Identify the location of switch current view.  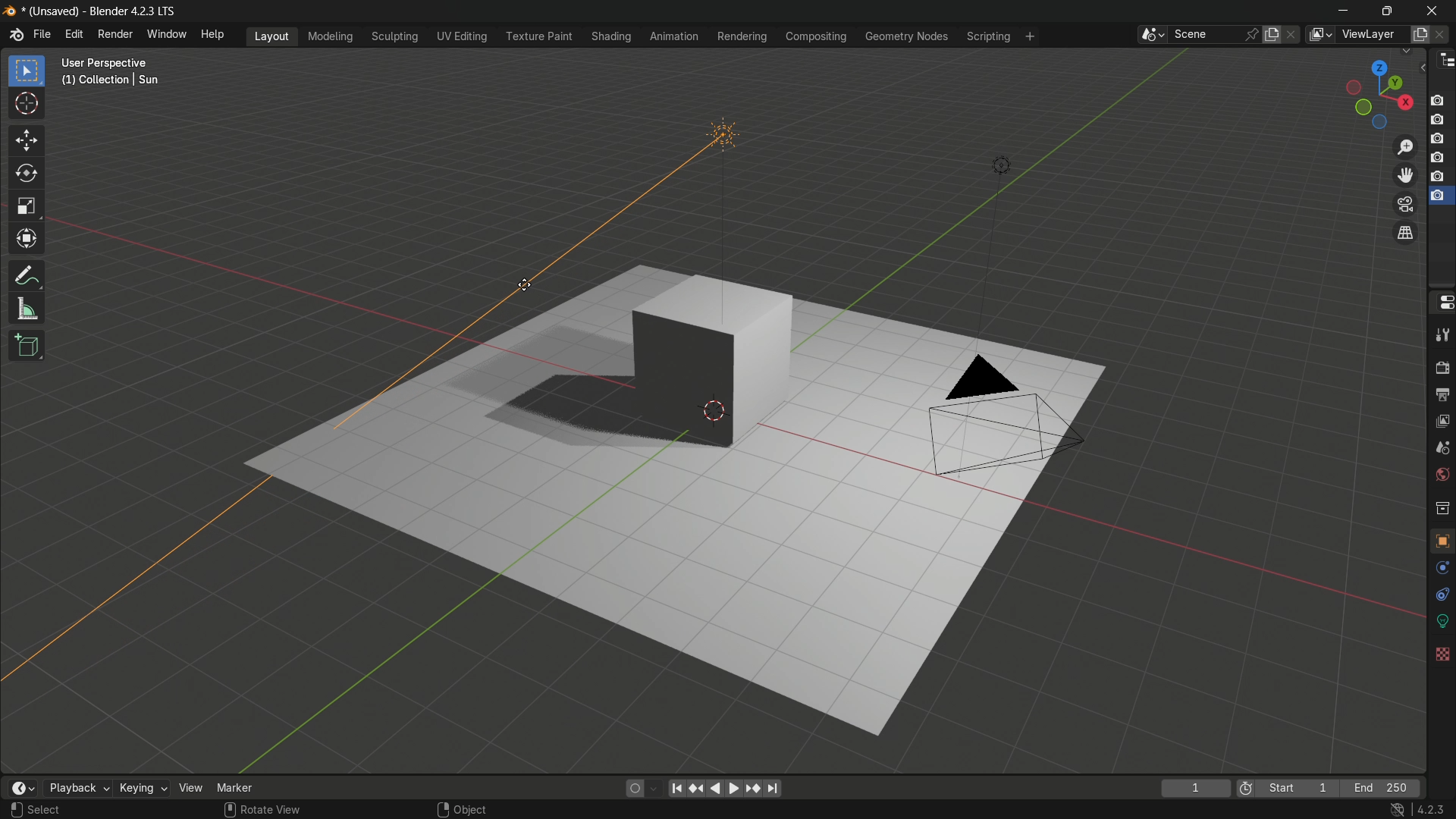
(1407, 233).